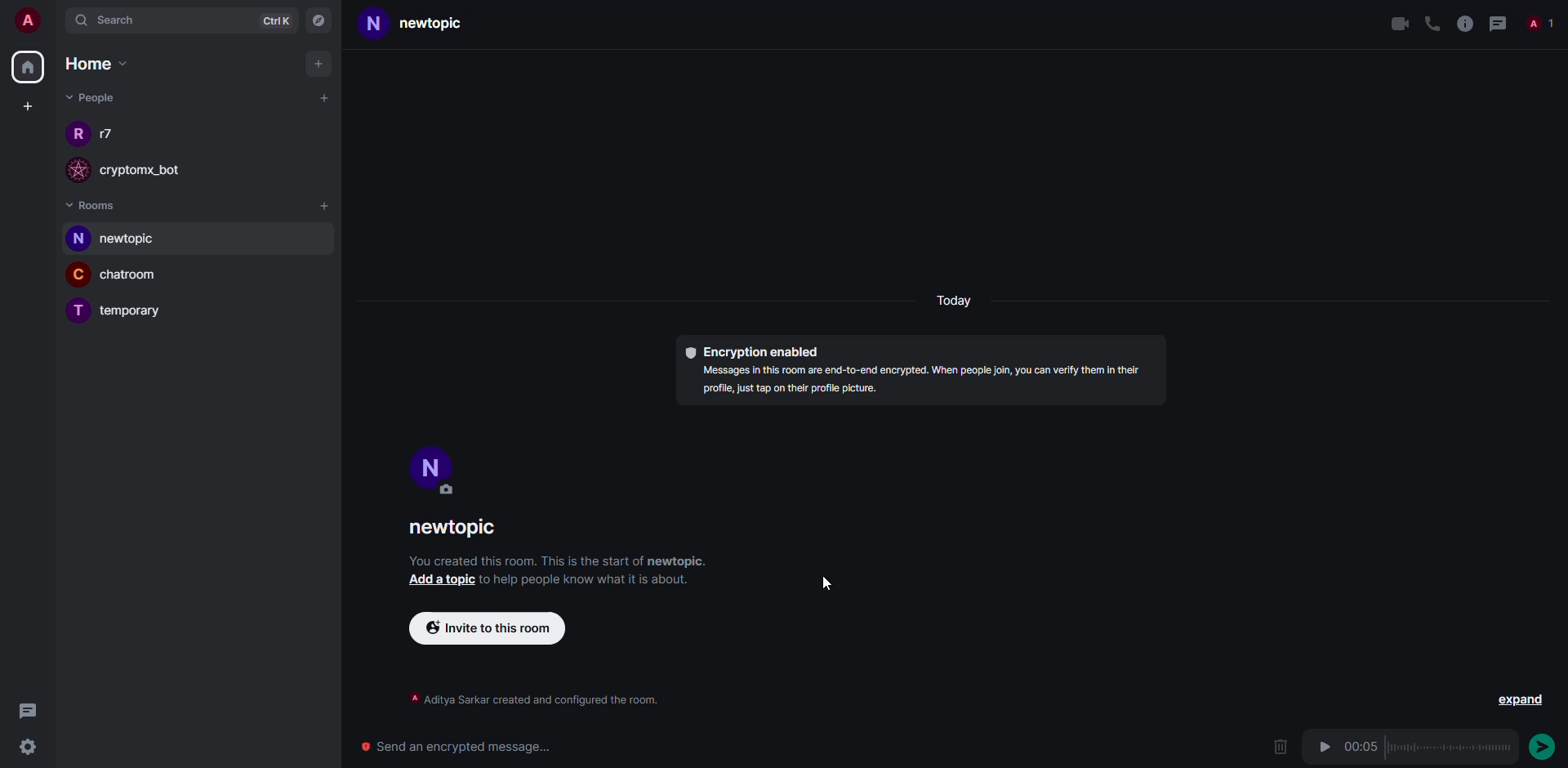 This screenshot has width=1568, height=768. I want to click on home, so click(24, 69).